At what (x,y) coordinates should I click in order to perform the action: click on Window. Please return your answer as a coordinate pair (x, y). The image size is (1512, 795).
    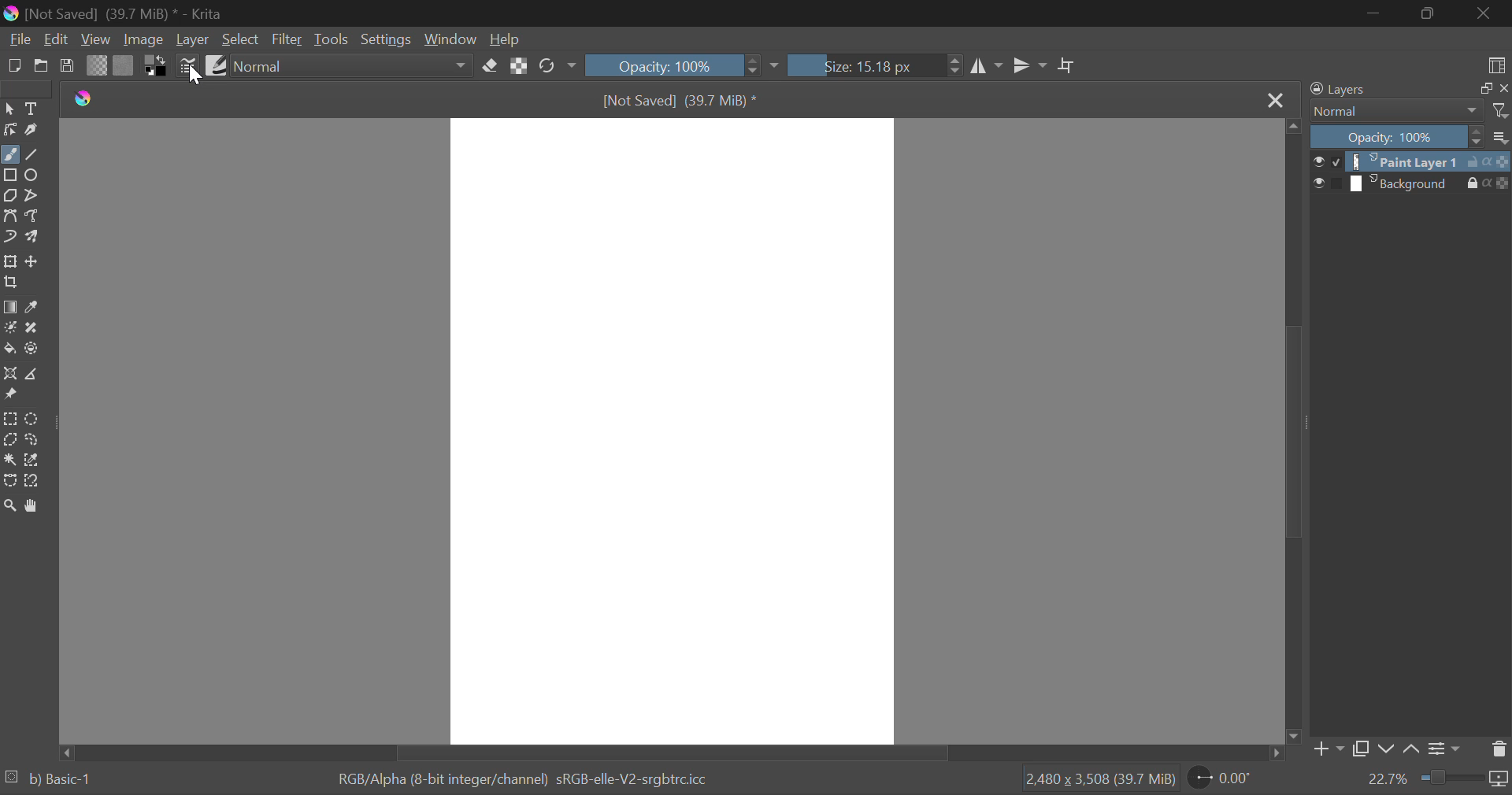
    Looking at the image, I should click on (450, 38).